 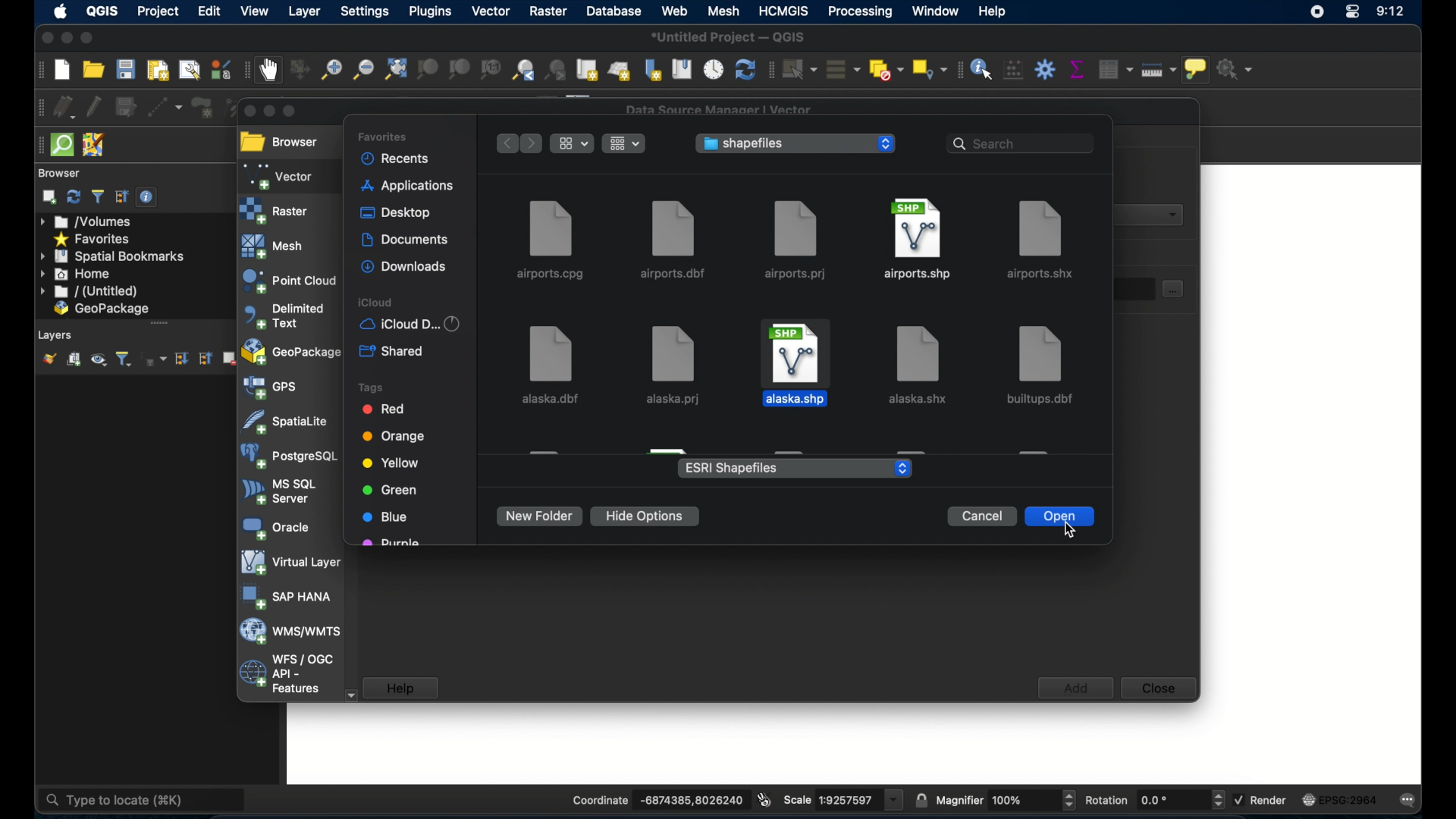 I want to click on red, so click(x=384, y=409).